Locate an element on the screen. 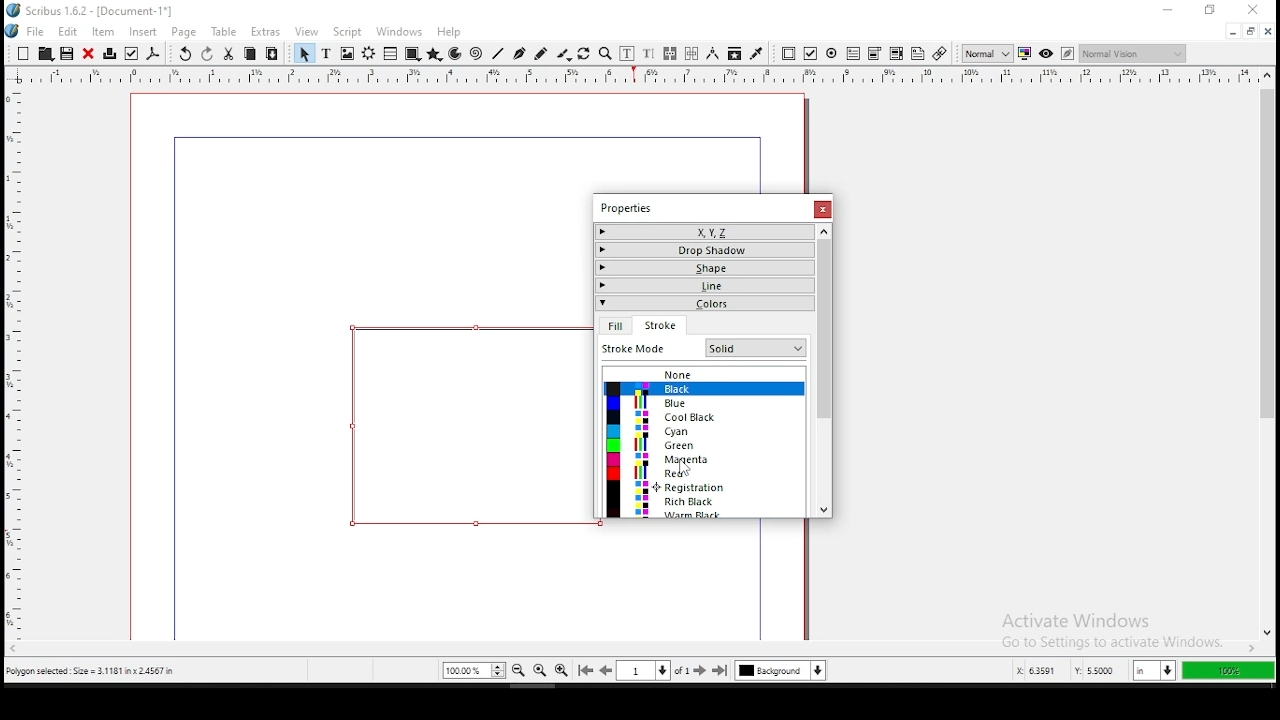 This screenshot has width=1280, height=720. horizontal ruler is located at coordinates (13, 354).